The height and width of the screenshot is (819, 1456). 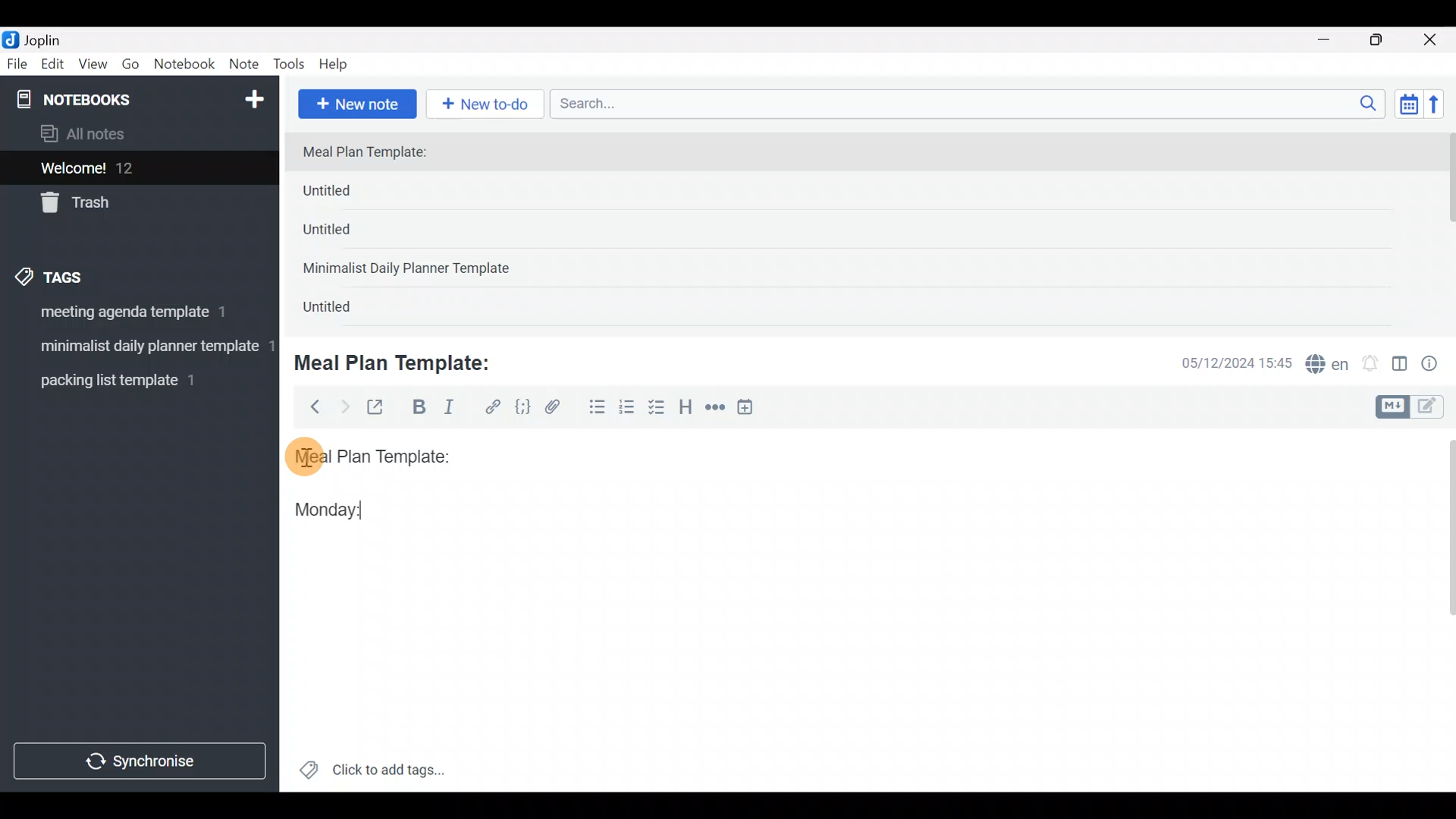 What do you see at coordinates (1442, 108) in the screenshot?
I see `Reverse sort` at bounding box center [1442, 108].